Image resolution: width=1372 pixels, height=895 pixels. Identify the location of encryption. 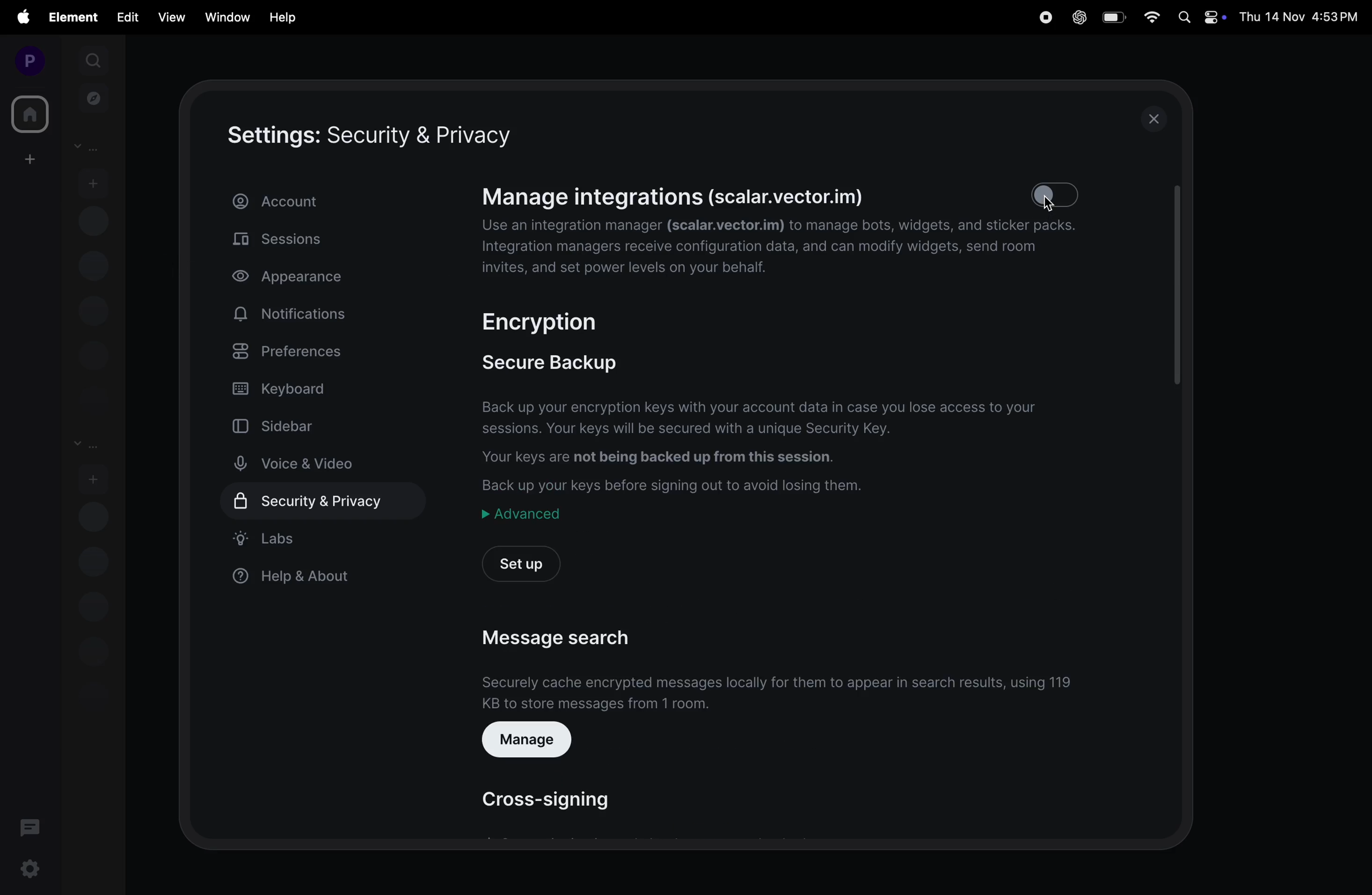
(544, 319).